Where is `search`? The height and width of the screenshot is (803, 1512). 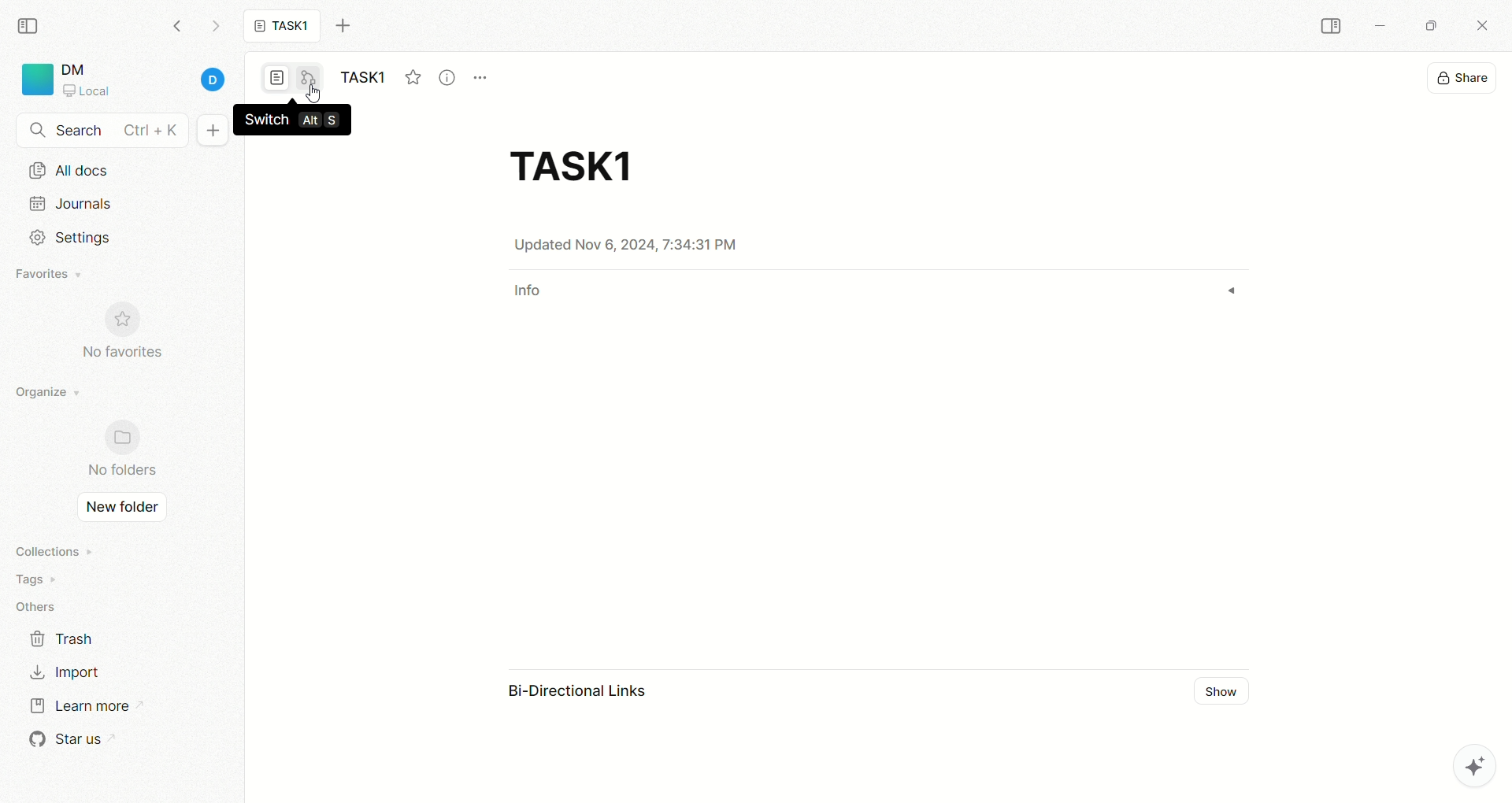 search is located at coordinates (102, 131).